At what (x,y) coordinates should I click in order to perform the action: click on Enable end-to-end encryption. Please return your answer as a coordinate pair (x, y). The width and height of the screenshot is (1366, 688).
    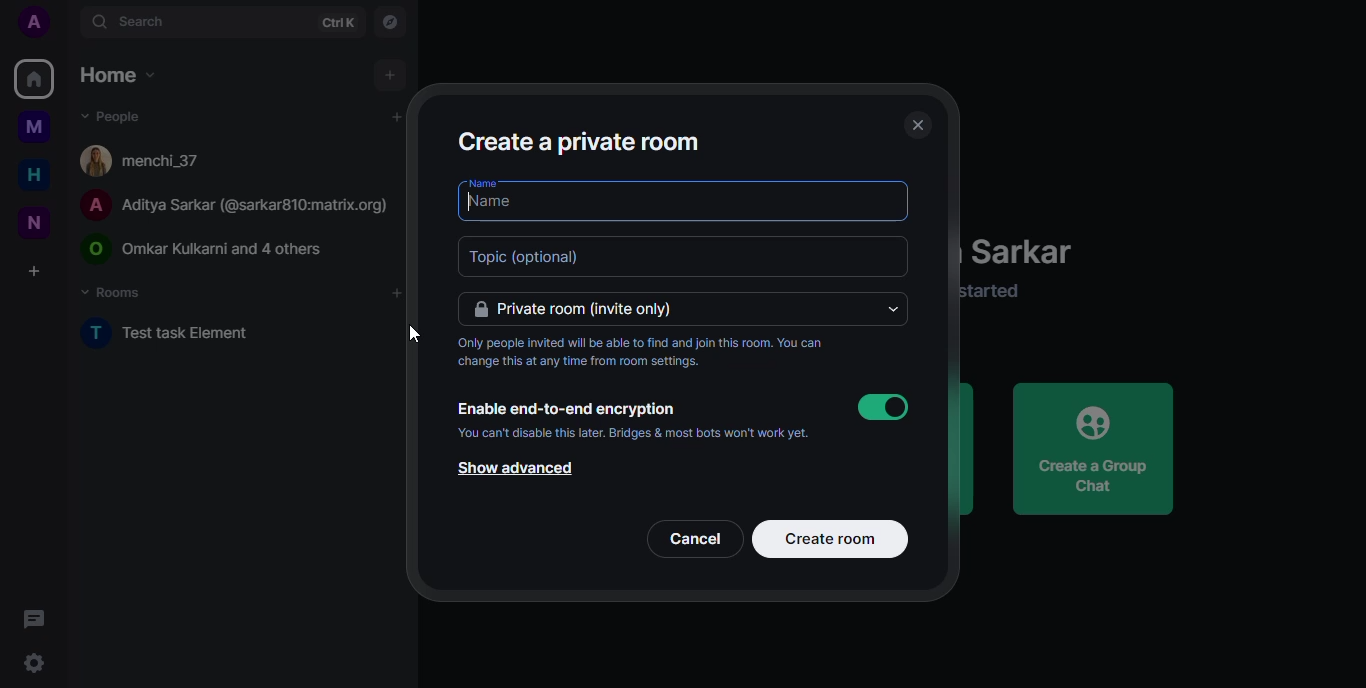
    Looking at the image, I should click on (568, 407).